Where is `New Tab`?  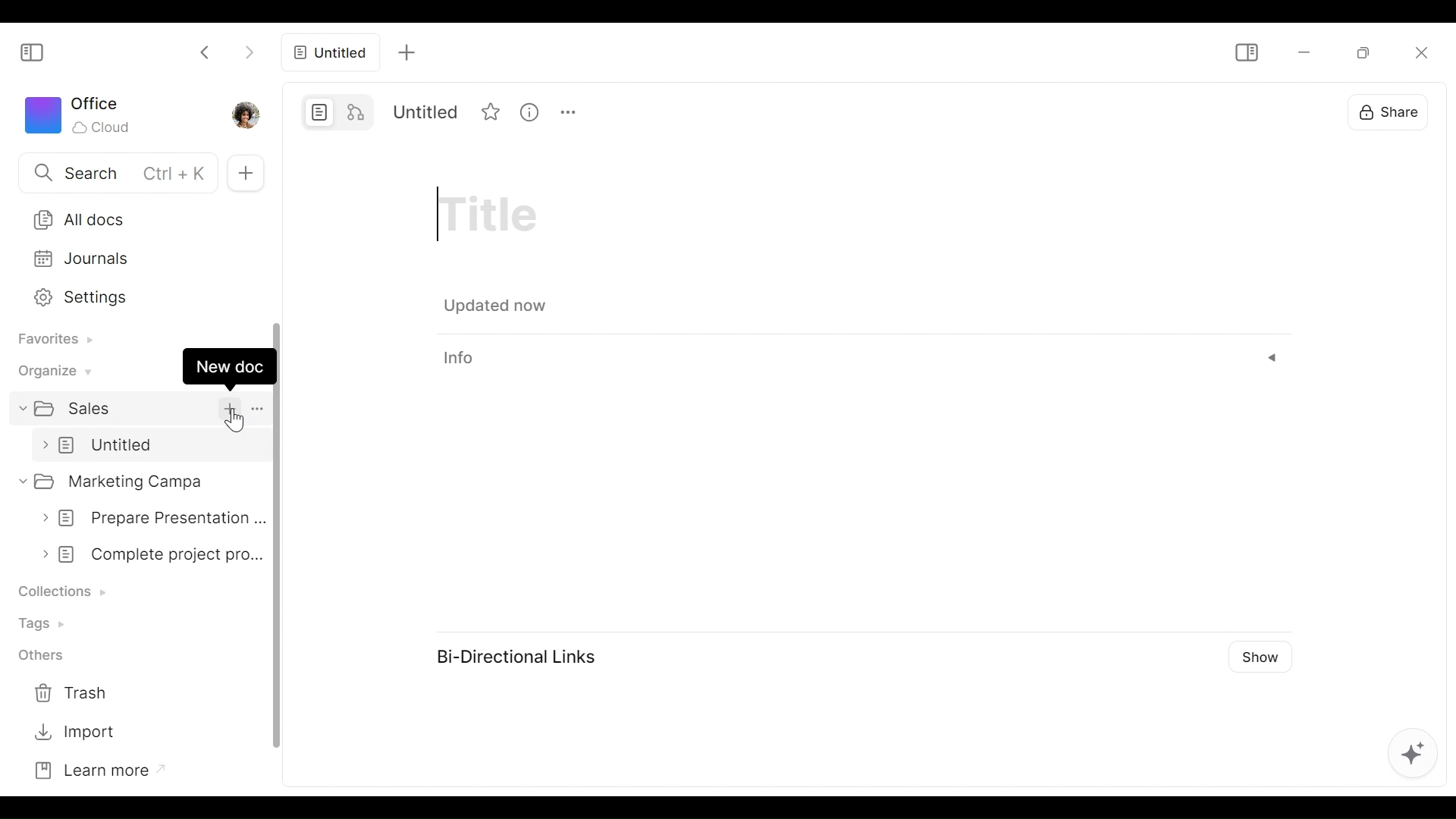
New Tab is located at coordinates (246, 174).